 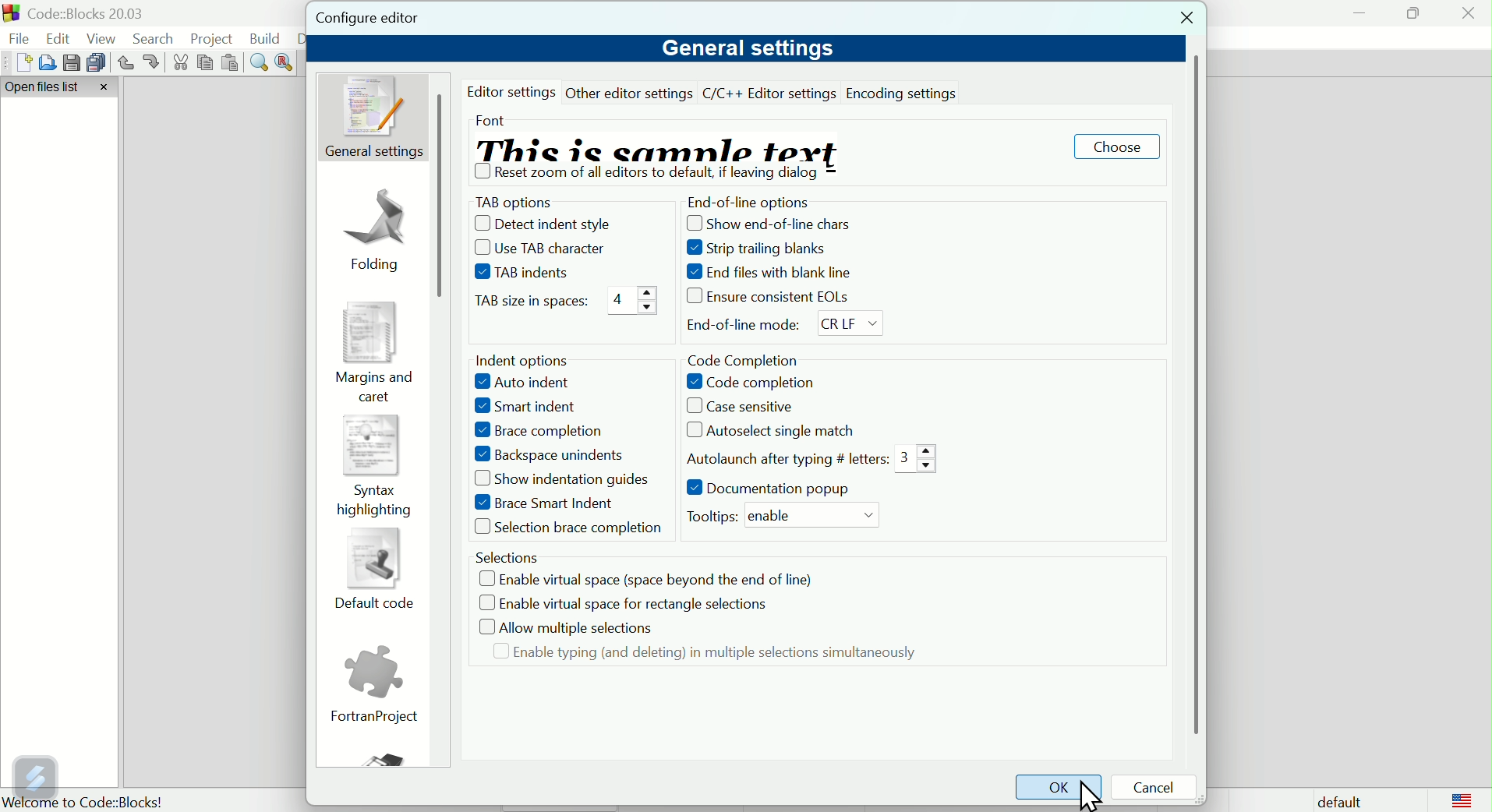 I want to click on Ensure consistent eol's, so click(x=774, y=298).